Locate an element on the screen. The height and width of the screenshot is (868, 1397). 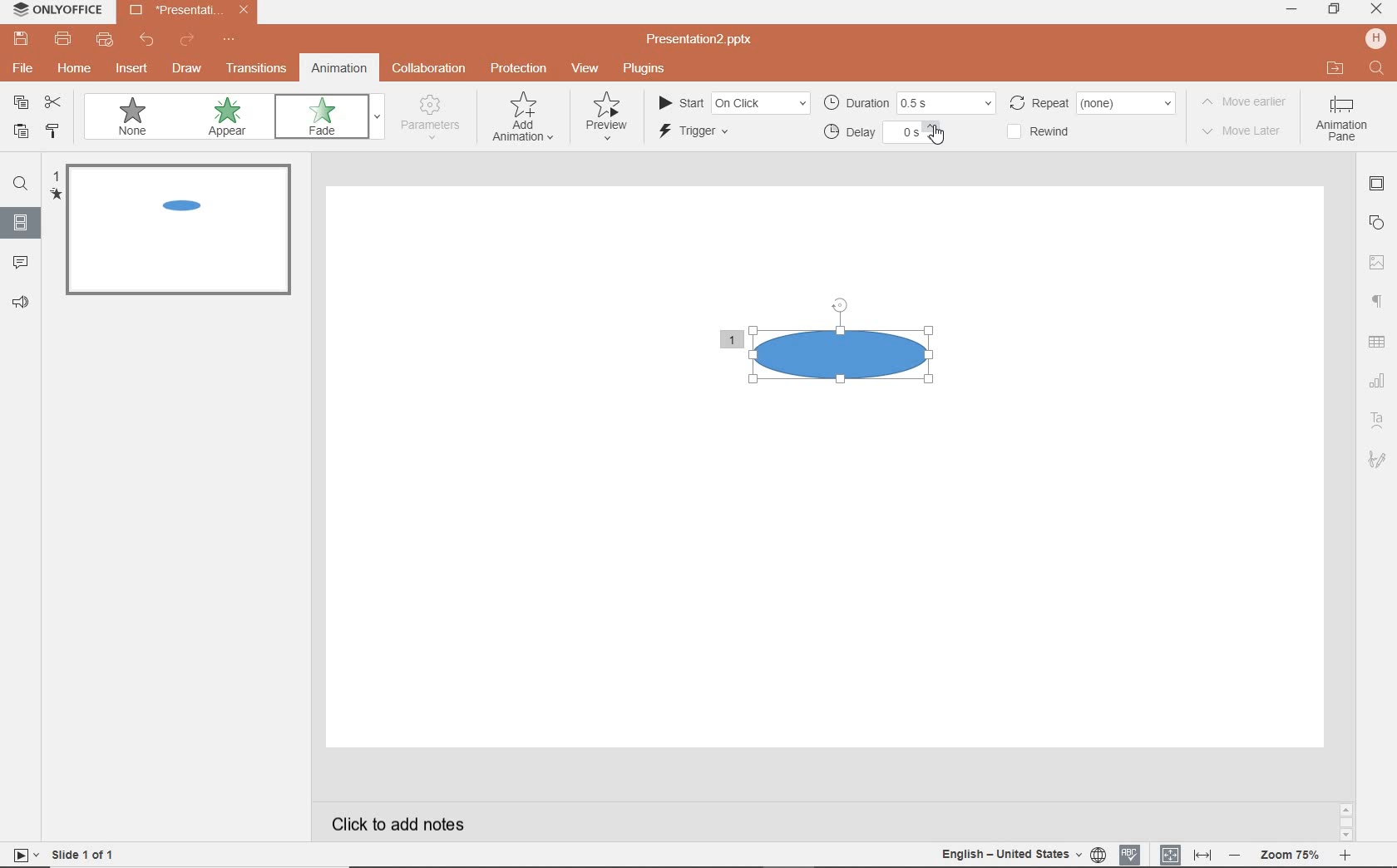
none is located at coordinates (134, 117).